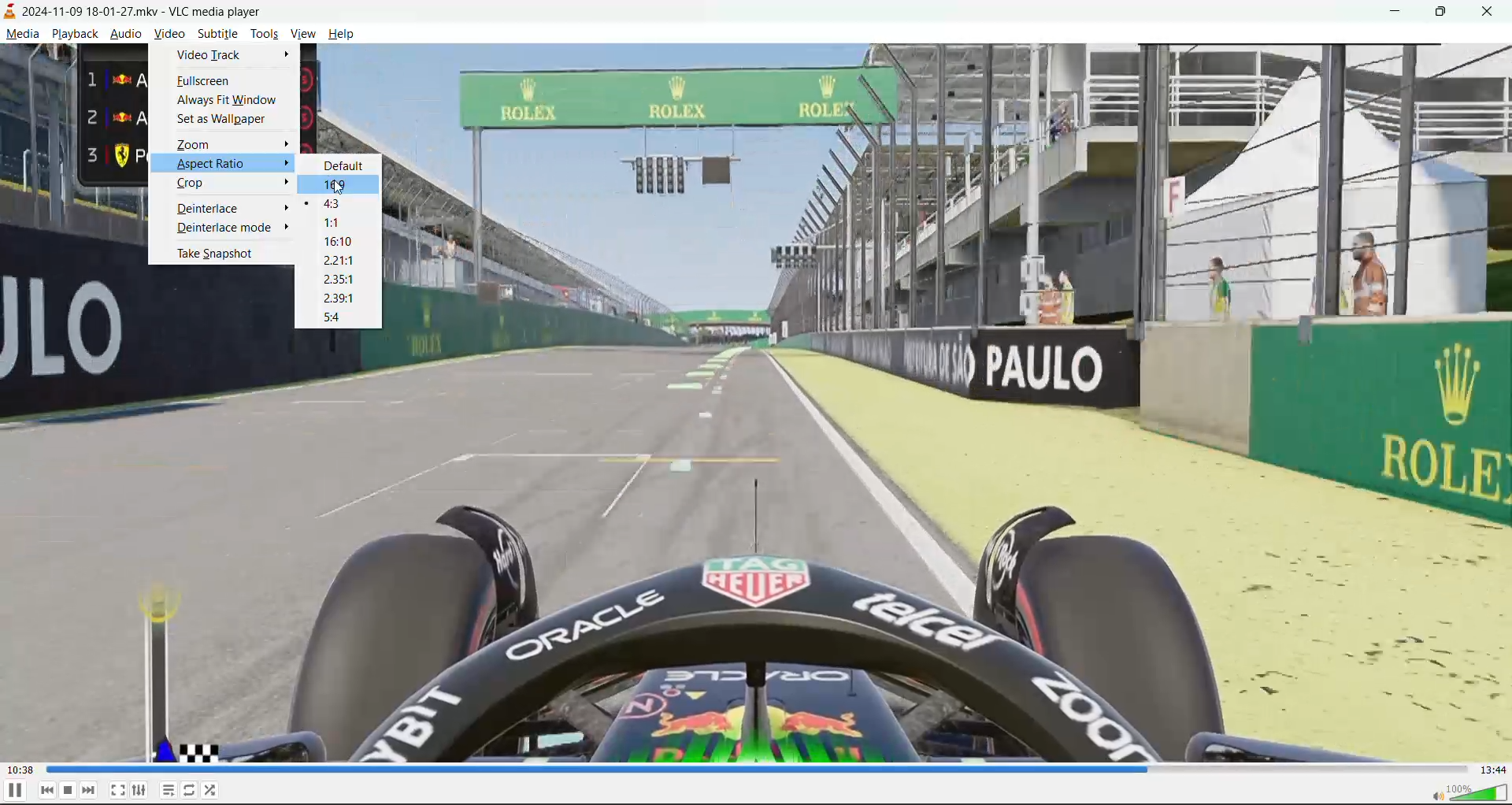 The width and height of the screenshot is (1512, 805). I want to click on stop, so click(70, 791).